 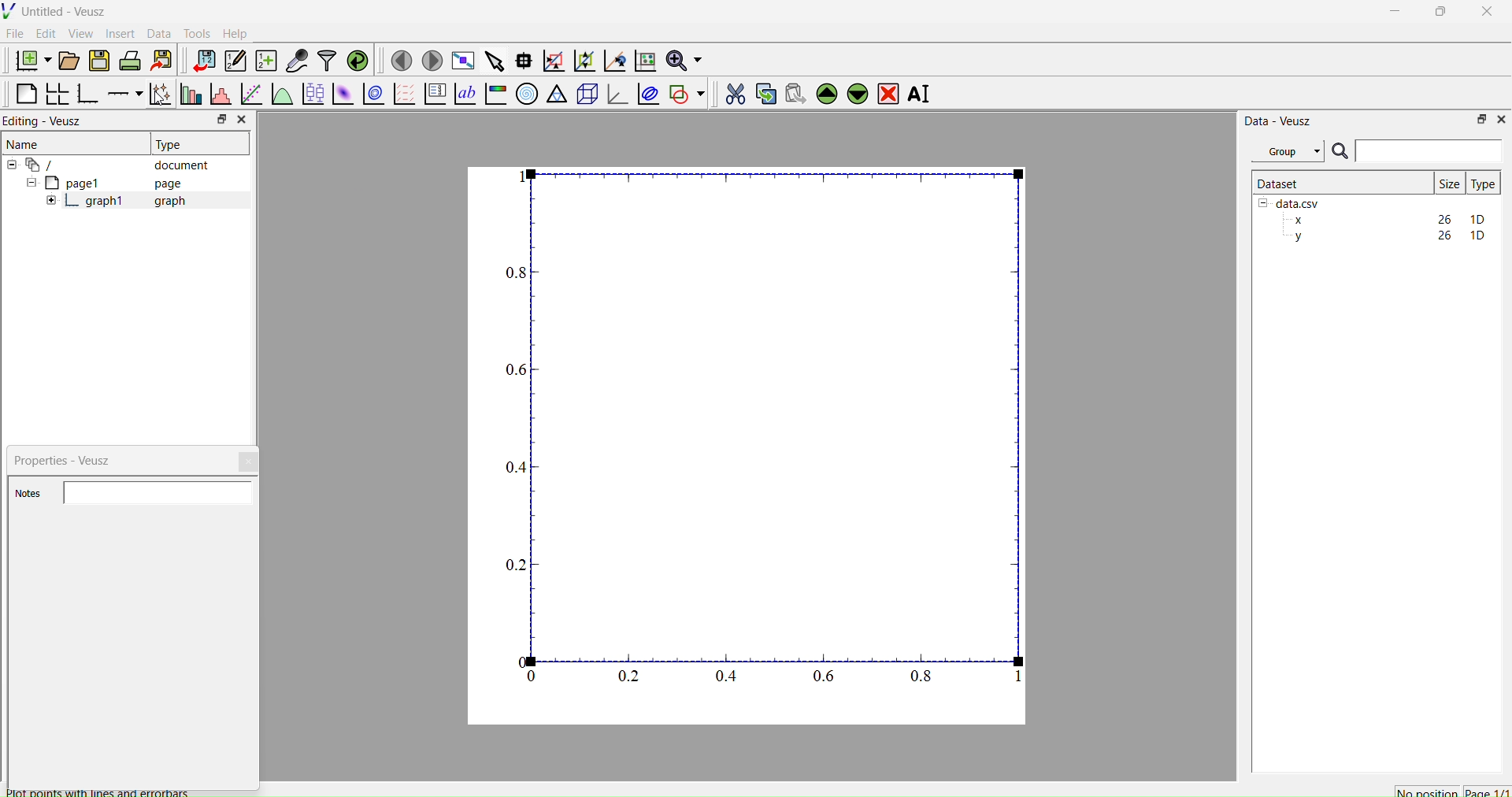 What do you see at coordinates (493, 61) in the screenshot?
I see `Select items` at bounding box center [493, 61].